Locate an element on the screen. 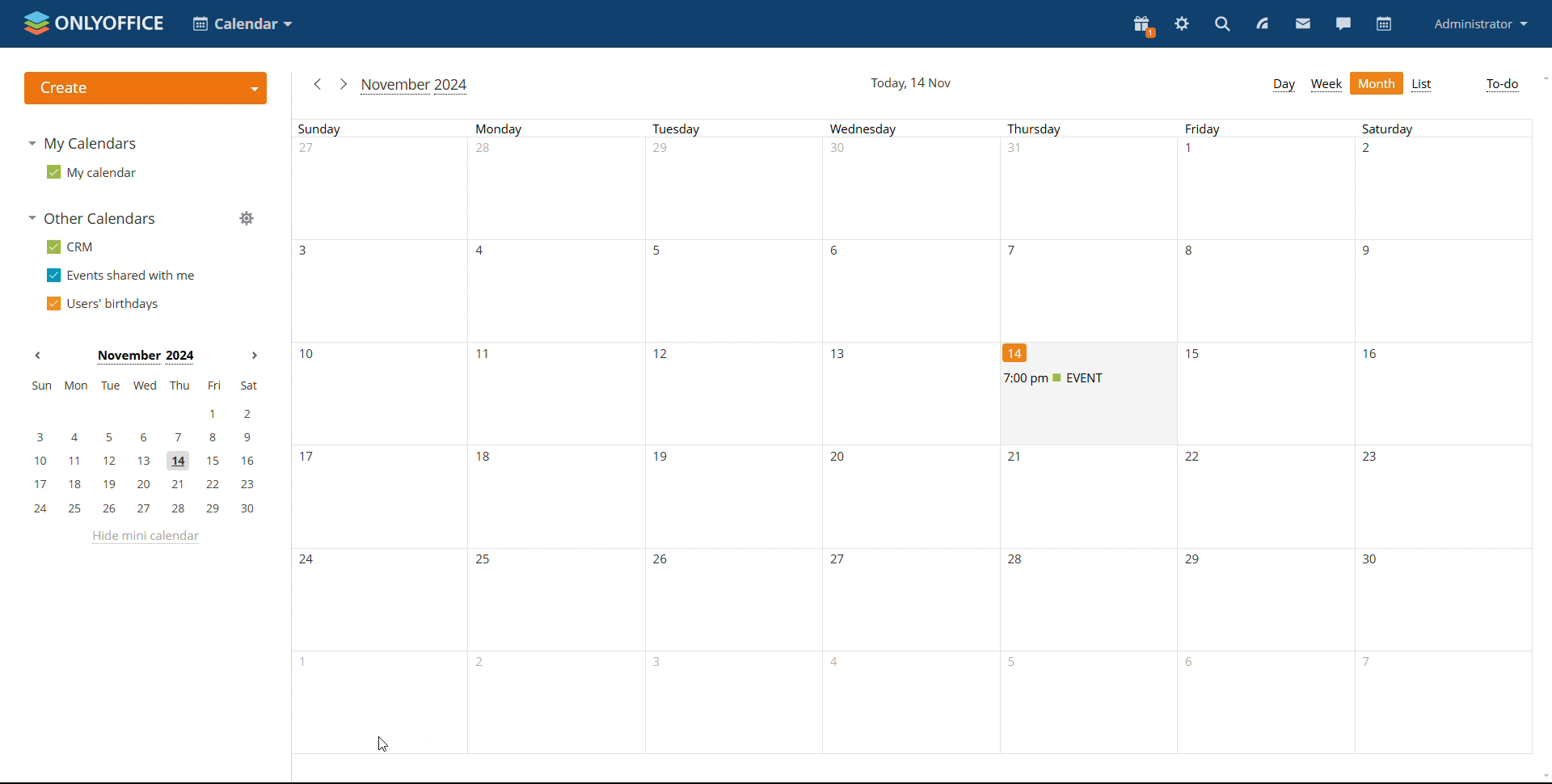 This screenshot has width=1552, height=784. my calendars is located at coordinates (82, 142).